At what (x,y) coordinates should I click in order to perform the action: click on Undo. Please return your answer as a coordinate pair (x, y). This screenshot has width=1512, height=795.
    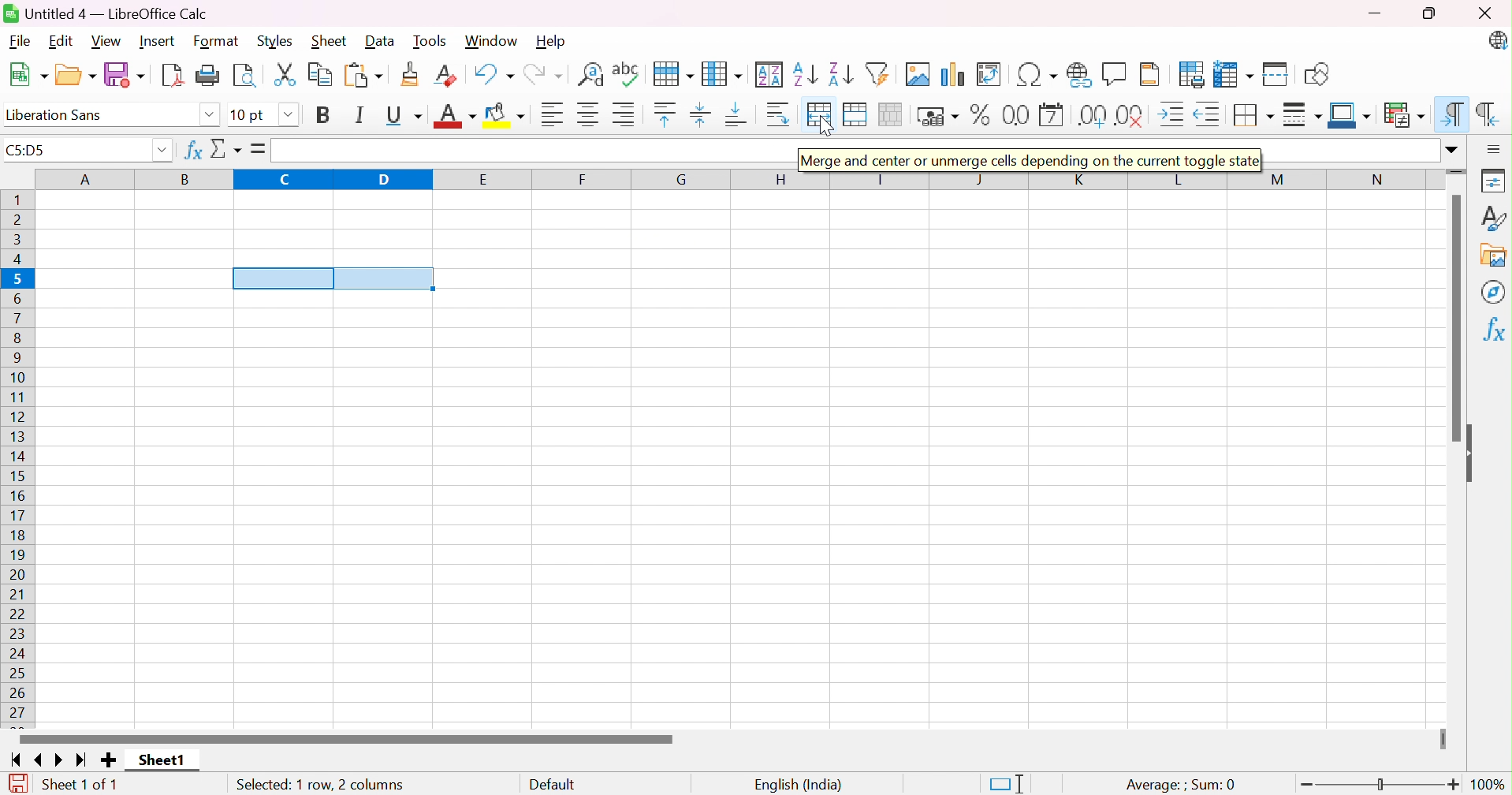
    Looking at the image, I should click on (493, 73).